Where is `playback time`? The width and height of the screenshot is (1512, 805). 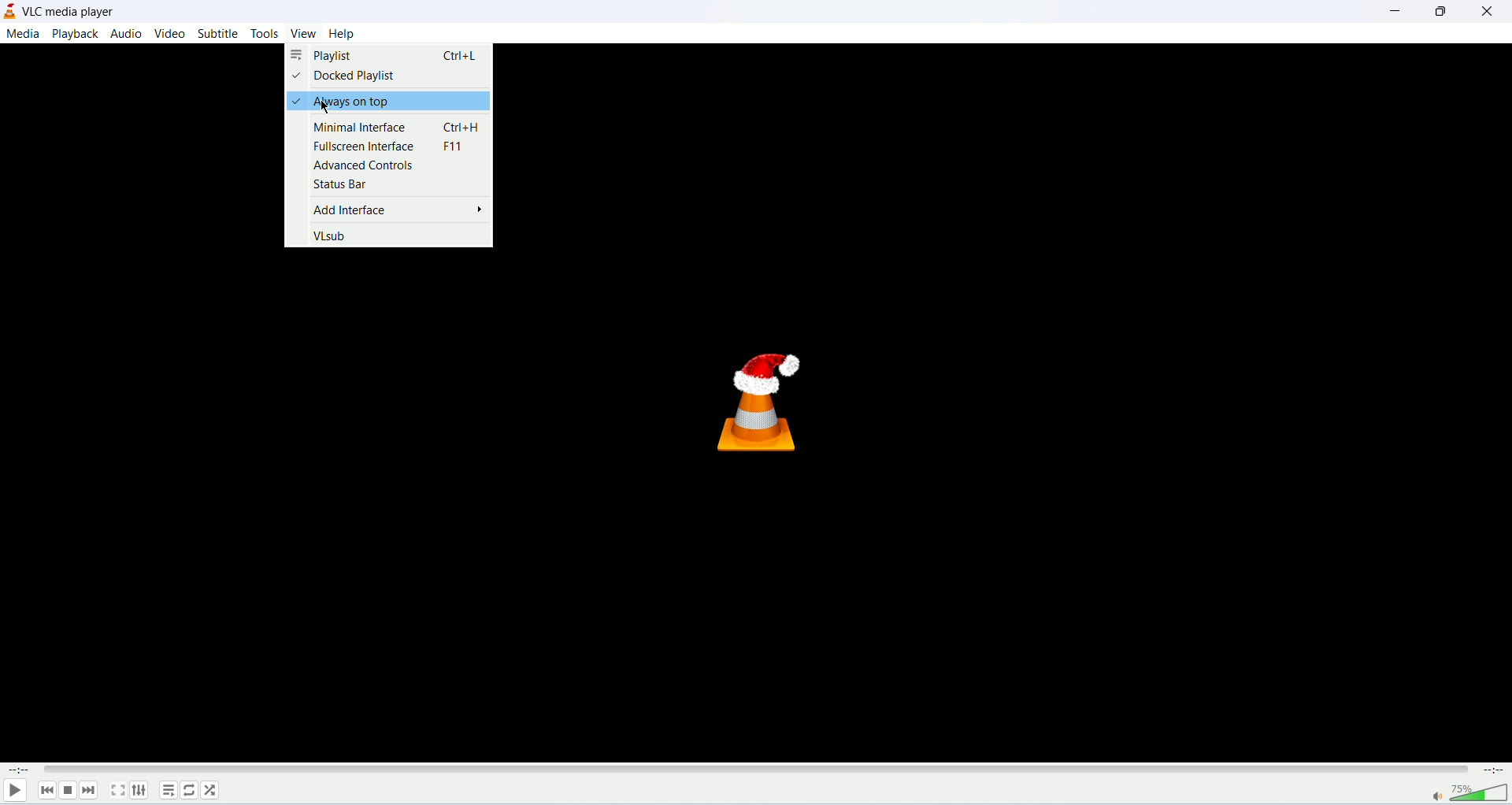
playback time is located at coordinates (18, 770).